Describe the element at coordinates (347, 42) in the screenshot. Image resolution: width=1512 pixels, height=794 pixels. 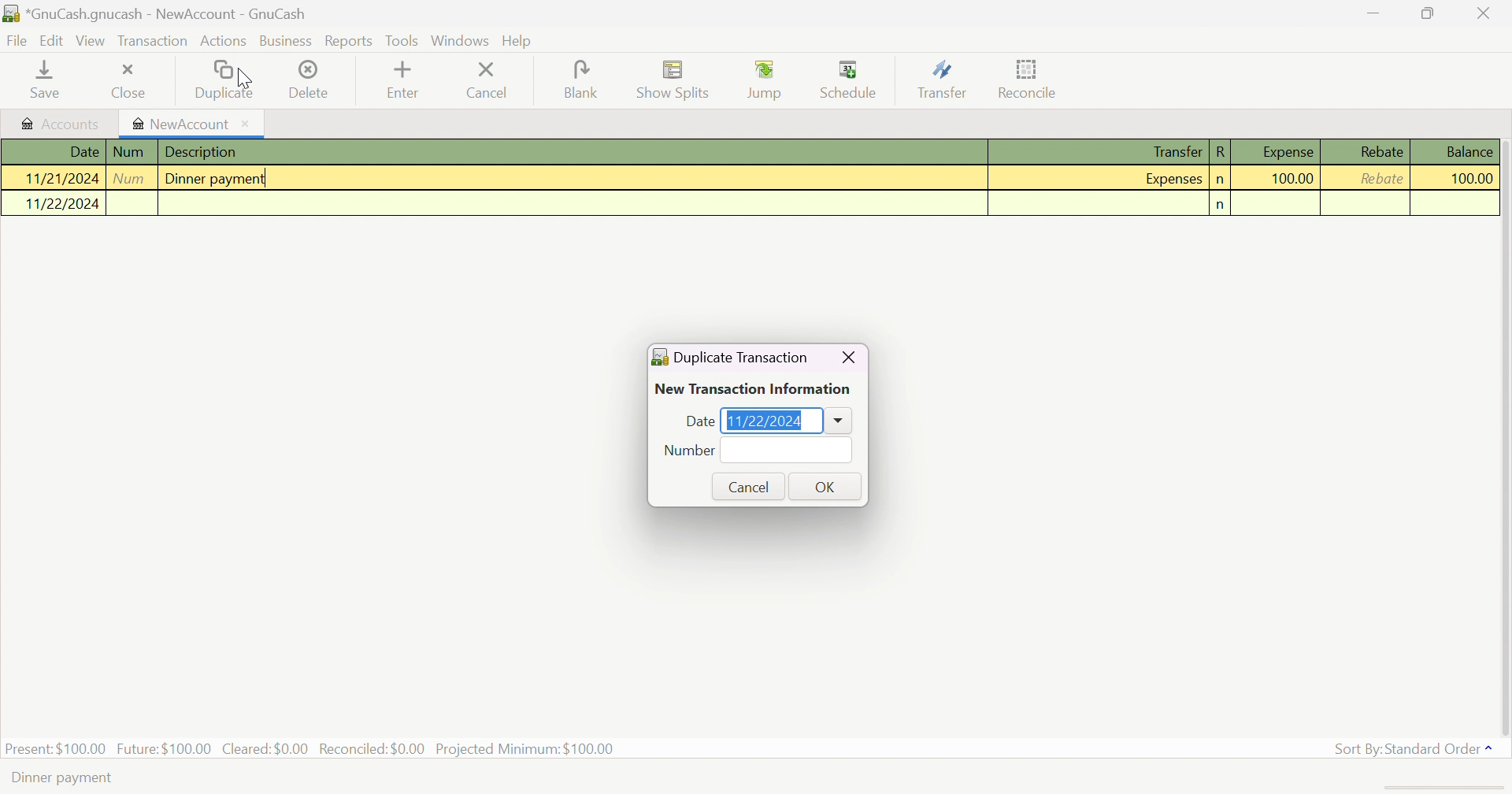
I see `Reports` at that location.